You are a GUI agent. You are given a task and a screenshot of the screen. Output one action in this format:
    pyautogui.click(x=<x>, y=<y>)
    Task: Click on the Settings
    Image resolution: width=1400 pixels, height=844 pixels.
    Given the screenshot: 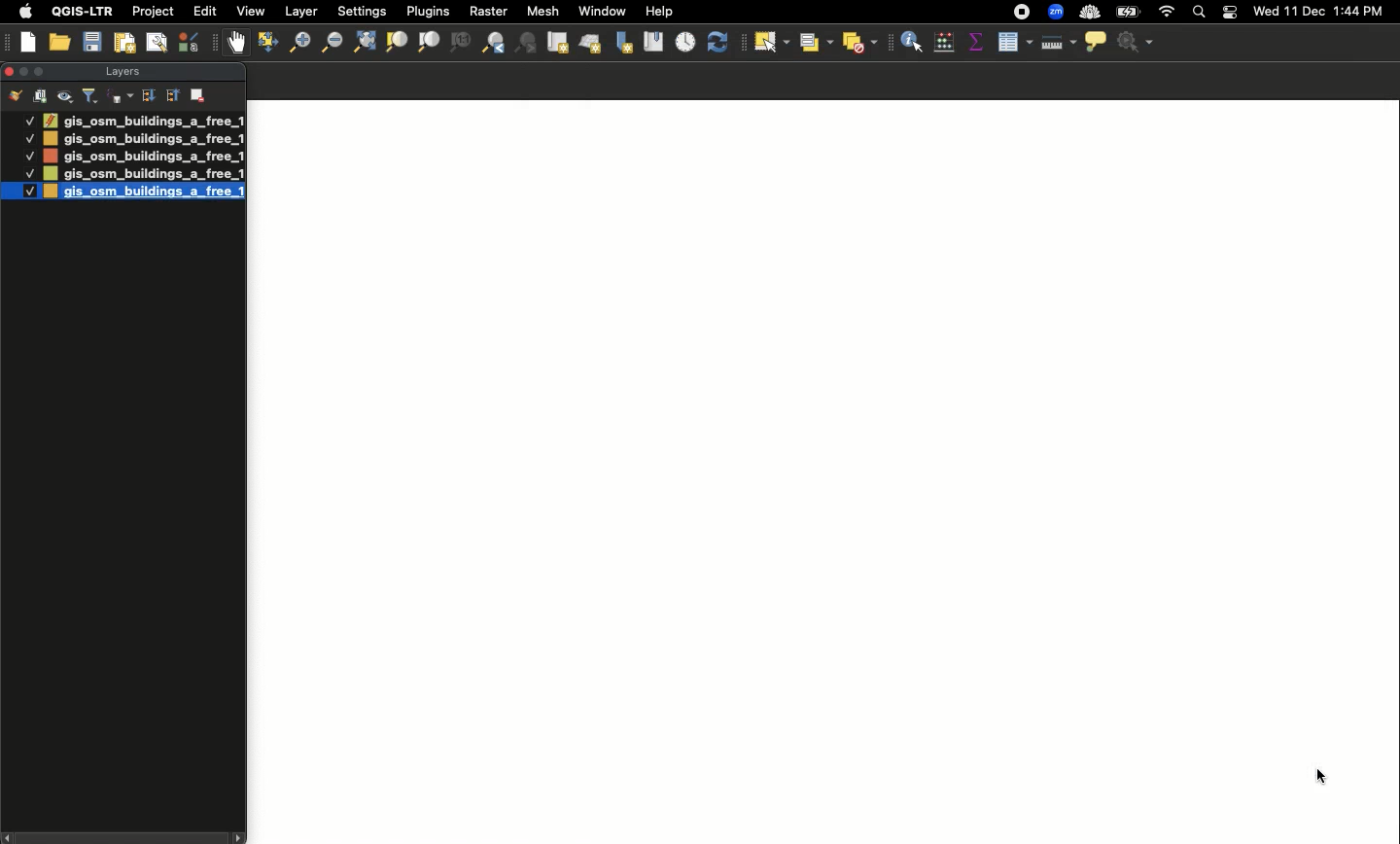 What is the action you would take?
    pyautogui.click(x=1137, y=43)
    